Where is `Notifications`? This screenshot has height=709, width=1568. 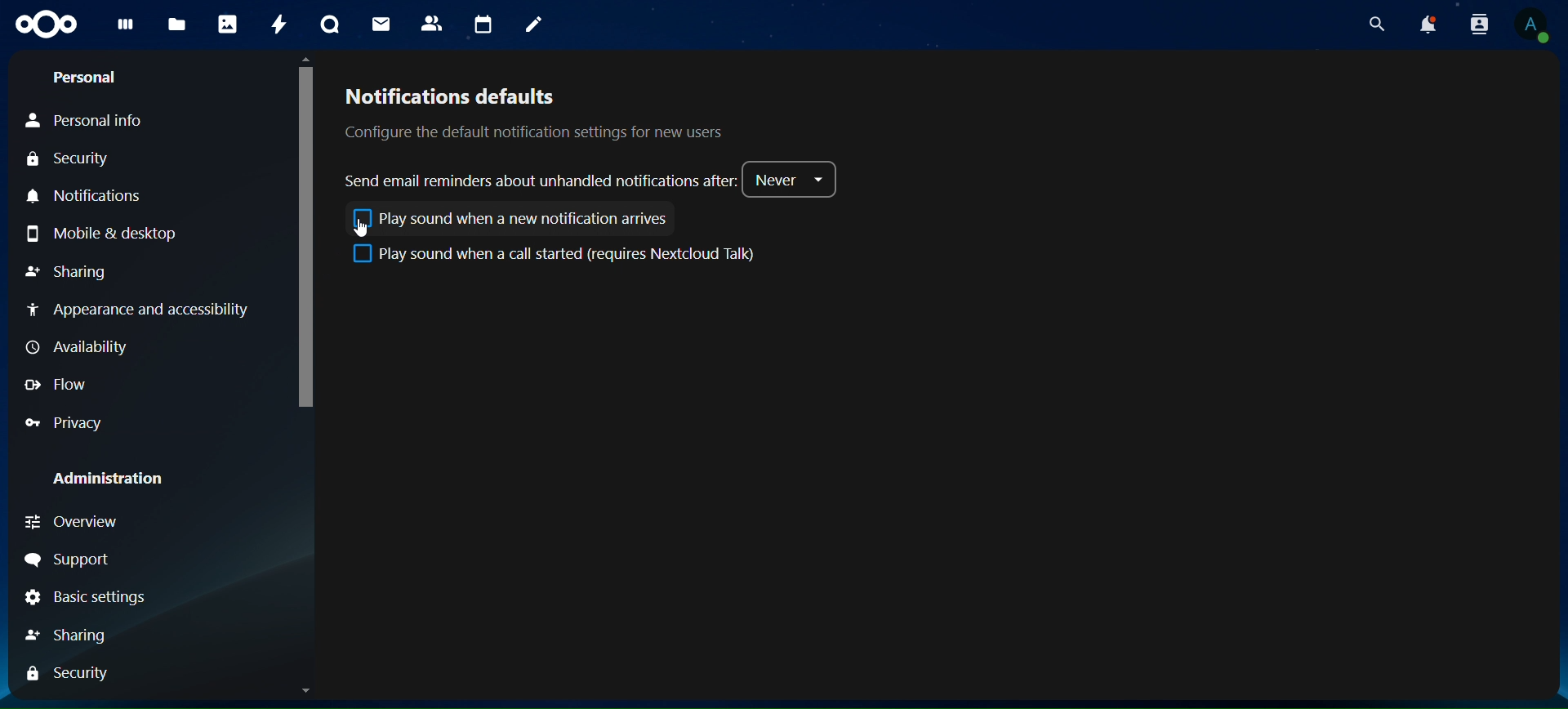
Notifications is located at coordinates (95, 197).